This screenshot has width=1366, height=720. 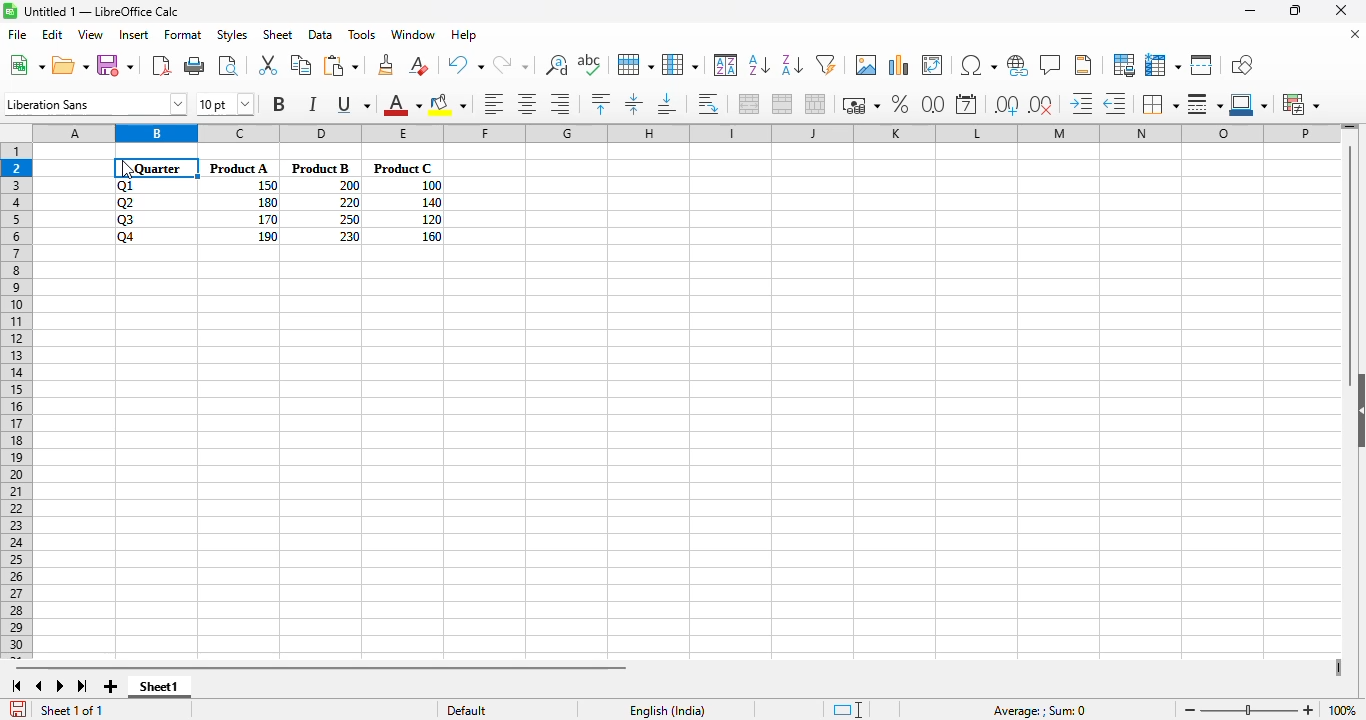 I want to click on sort ascending, so click(x=760, y=65).